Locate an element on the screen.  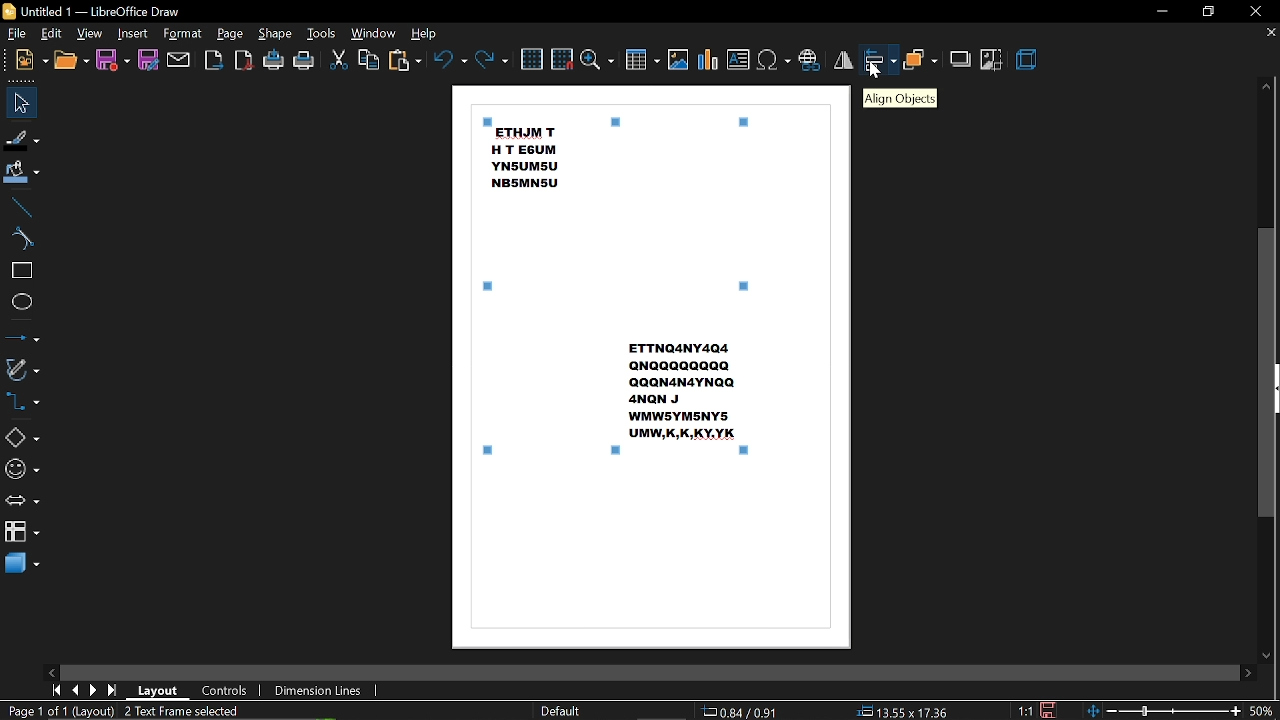
curve is located at coordinates (21, 238).